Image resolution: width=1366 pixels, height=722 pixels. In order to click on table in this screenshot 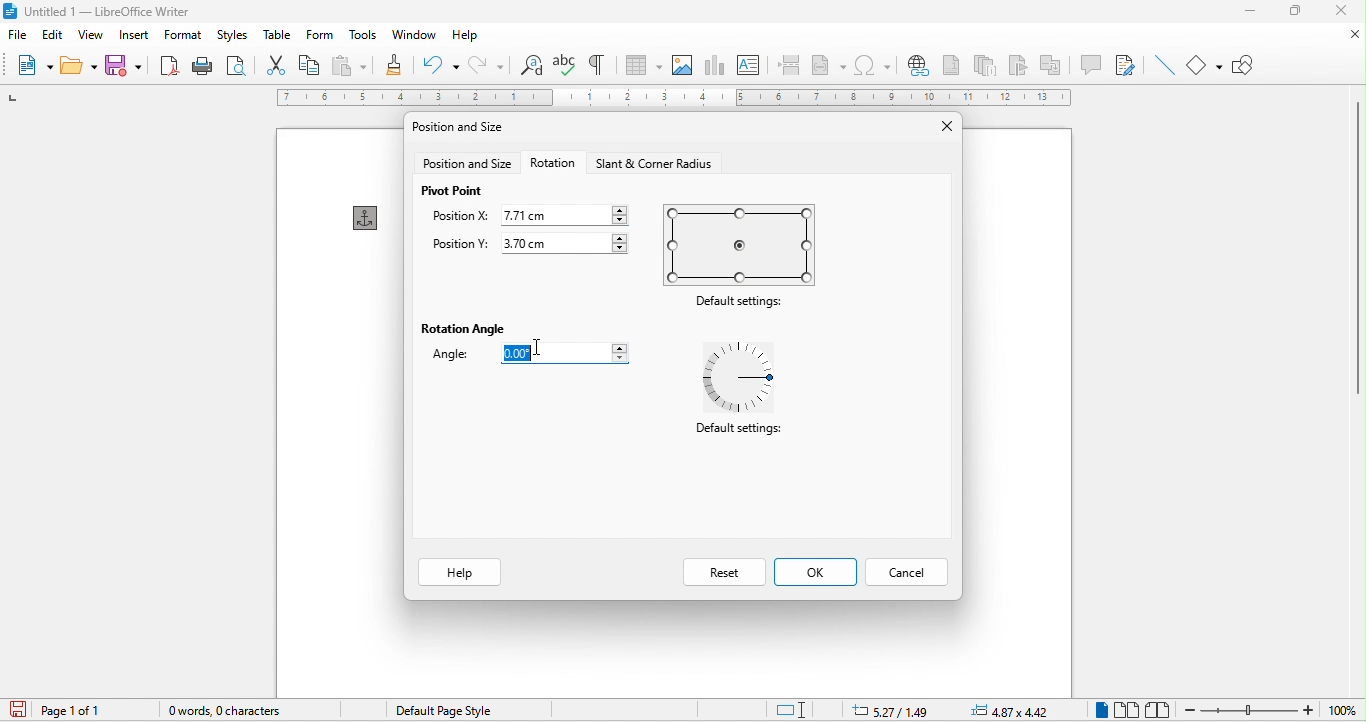, I will do `click(276, 37)`.